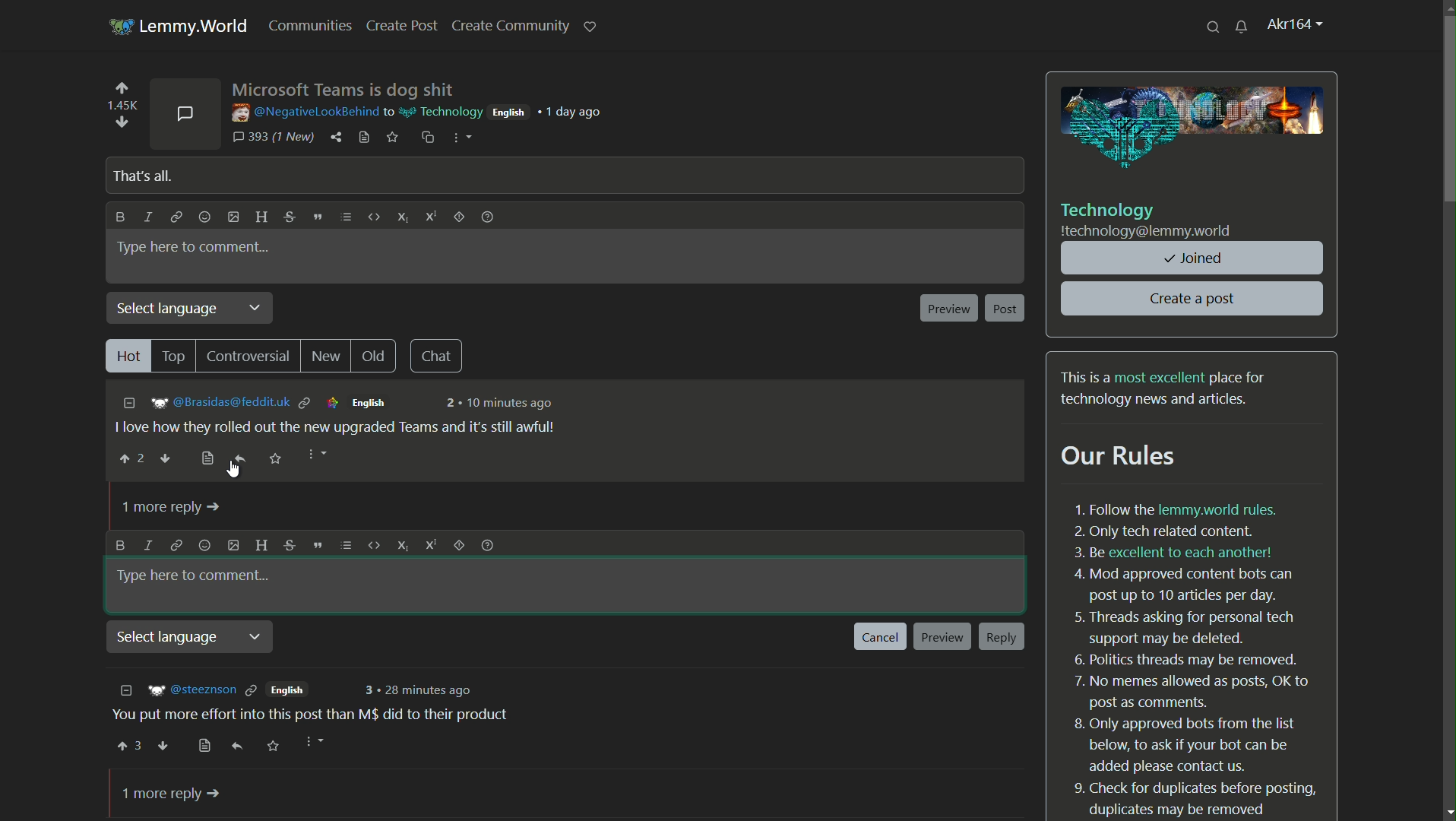 This screenshot has width=1456, height=821. Describe the element at coordinates (185, 112) in the screenshot. I see `comments` at that location.